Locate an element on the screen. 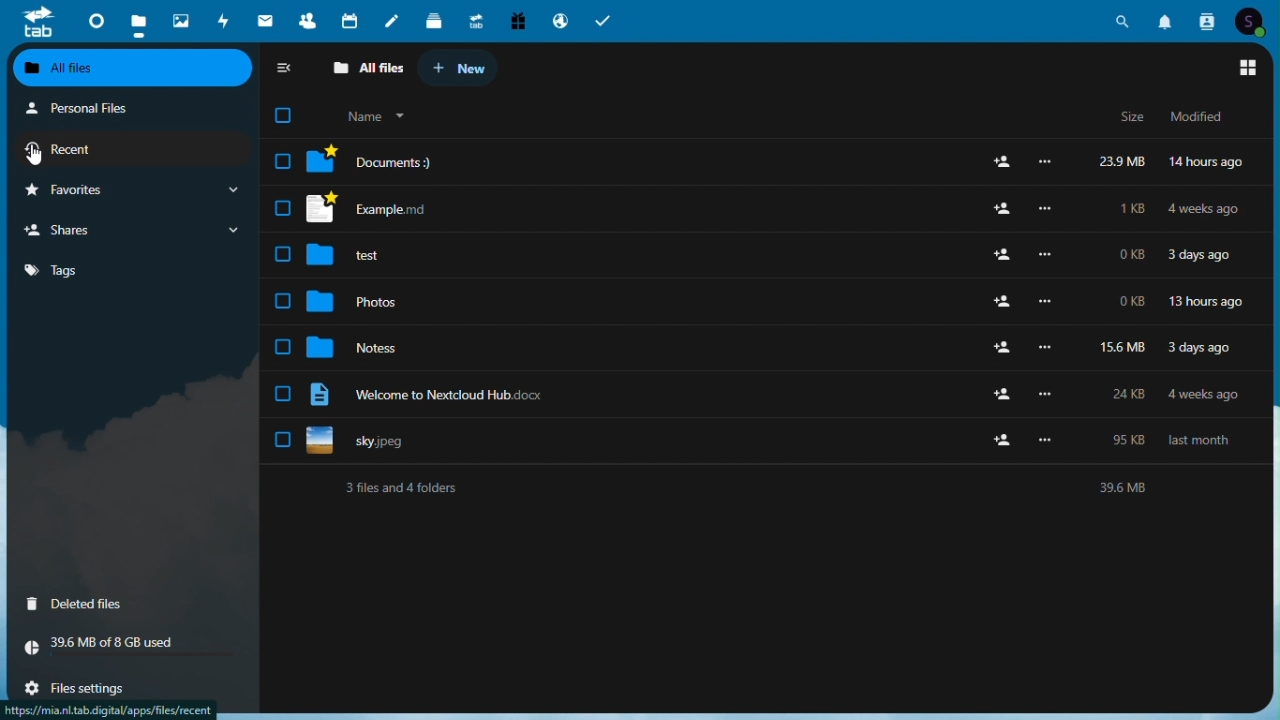  shares is located at coordinates (132, 230).